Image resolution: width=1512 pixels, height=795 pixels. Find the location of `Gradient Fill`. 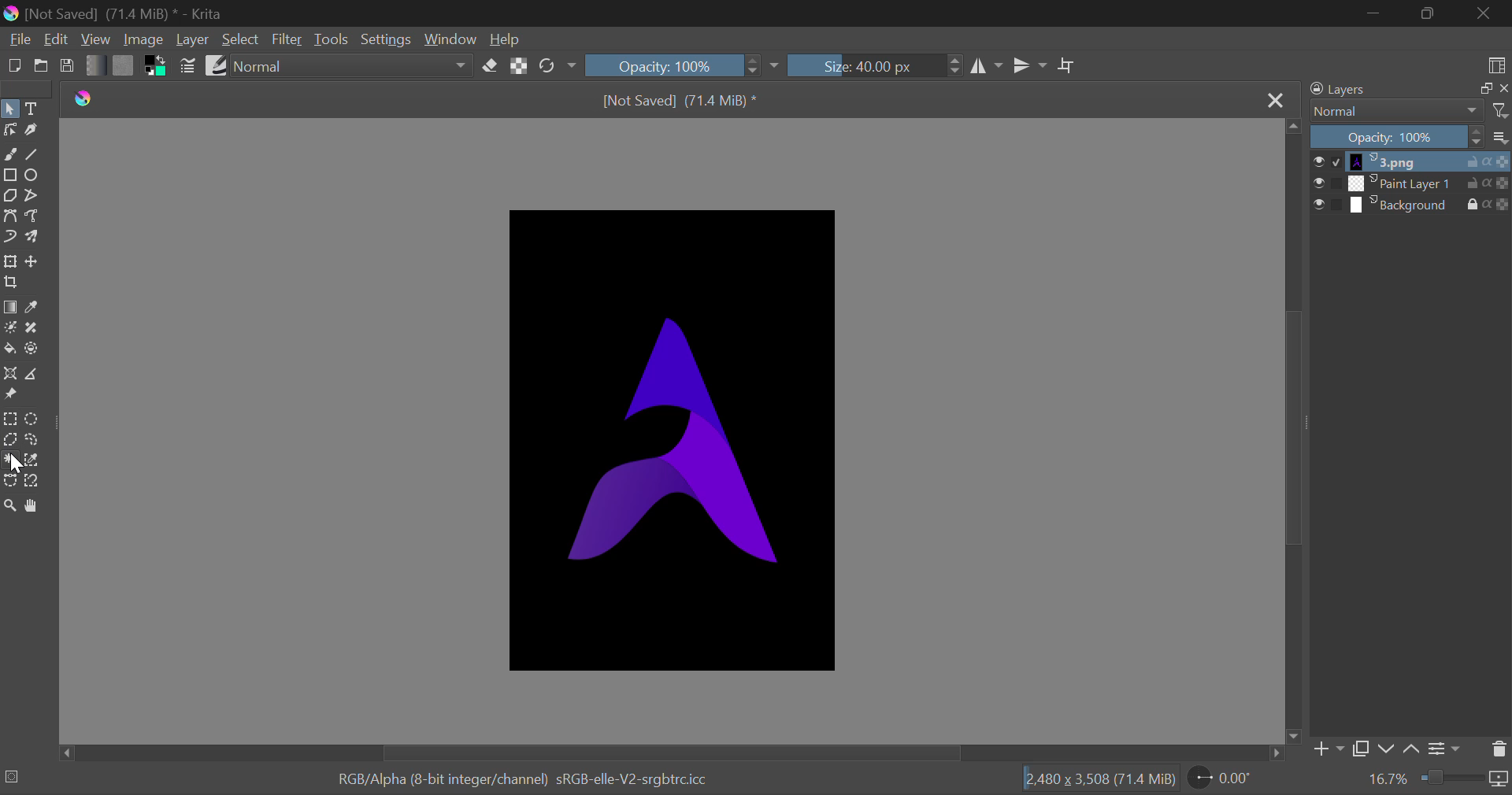

Gradient Fill is located at coordinates (10, 308).